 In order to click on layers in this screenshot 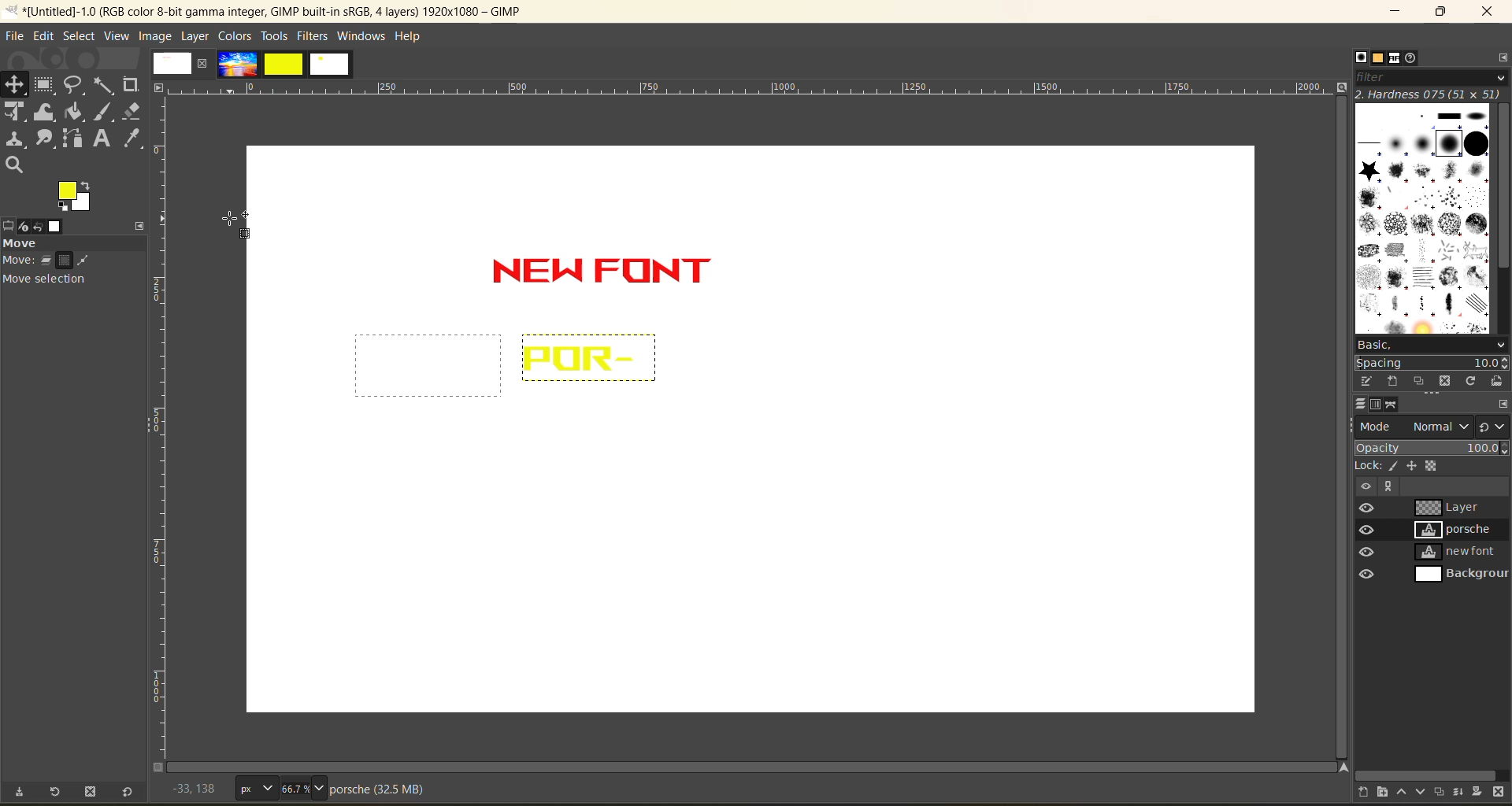, I will do `click(1354, 405)`.